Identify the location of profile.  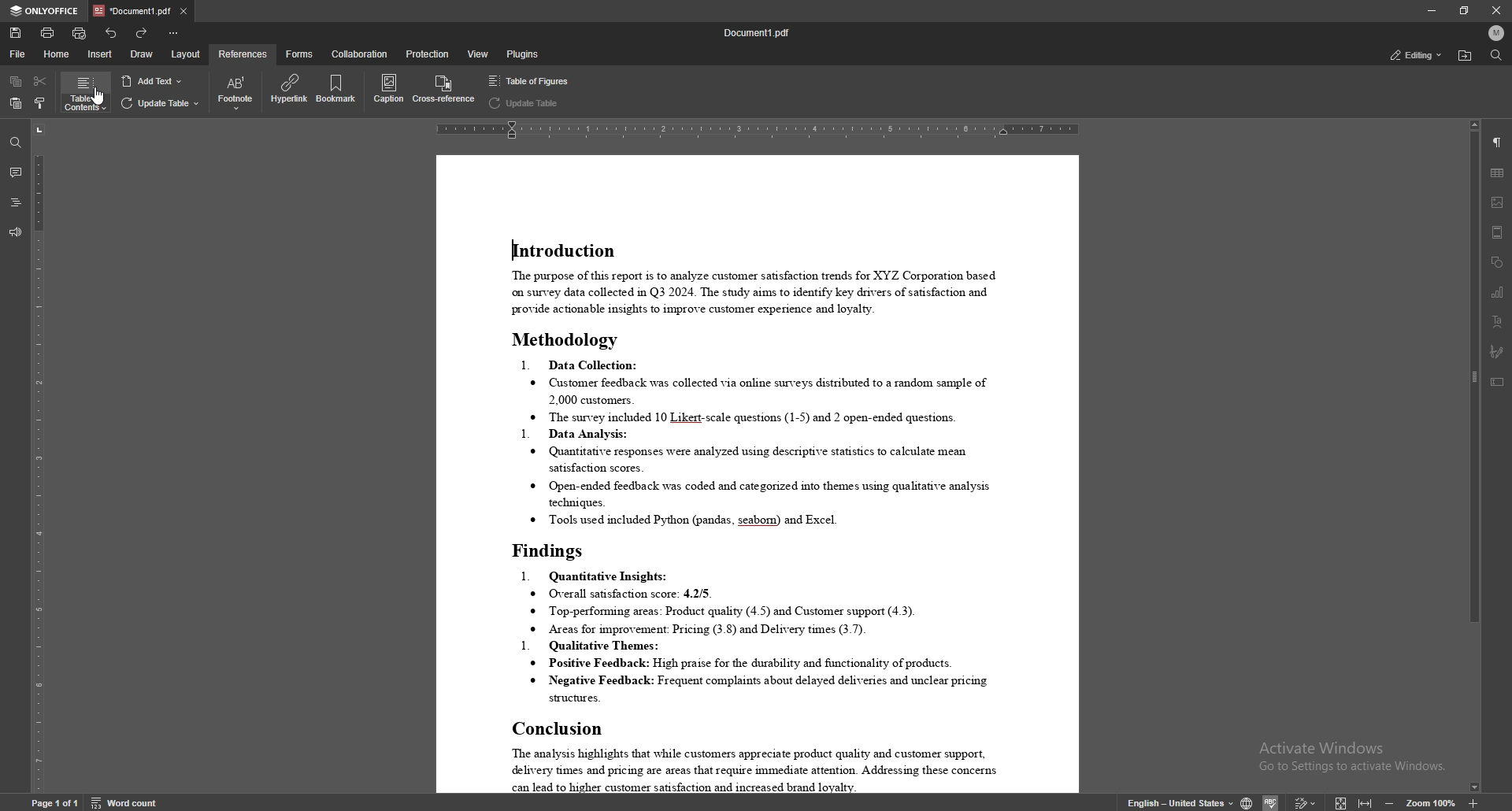
(1498, 33).